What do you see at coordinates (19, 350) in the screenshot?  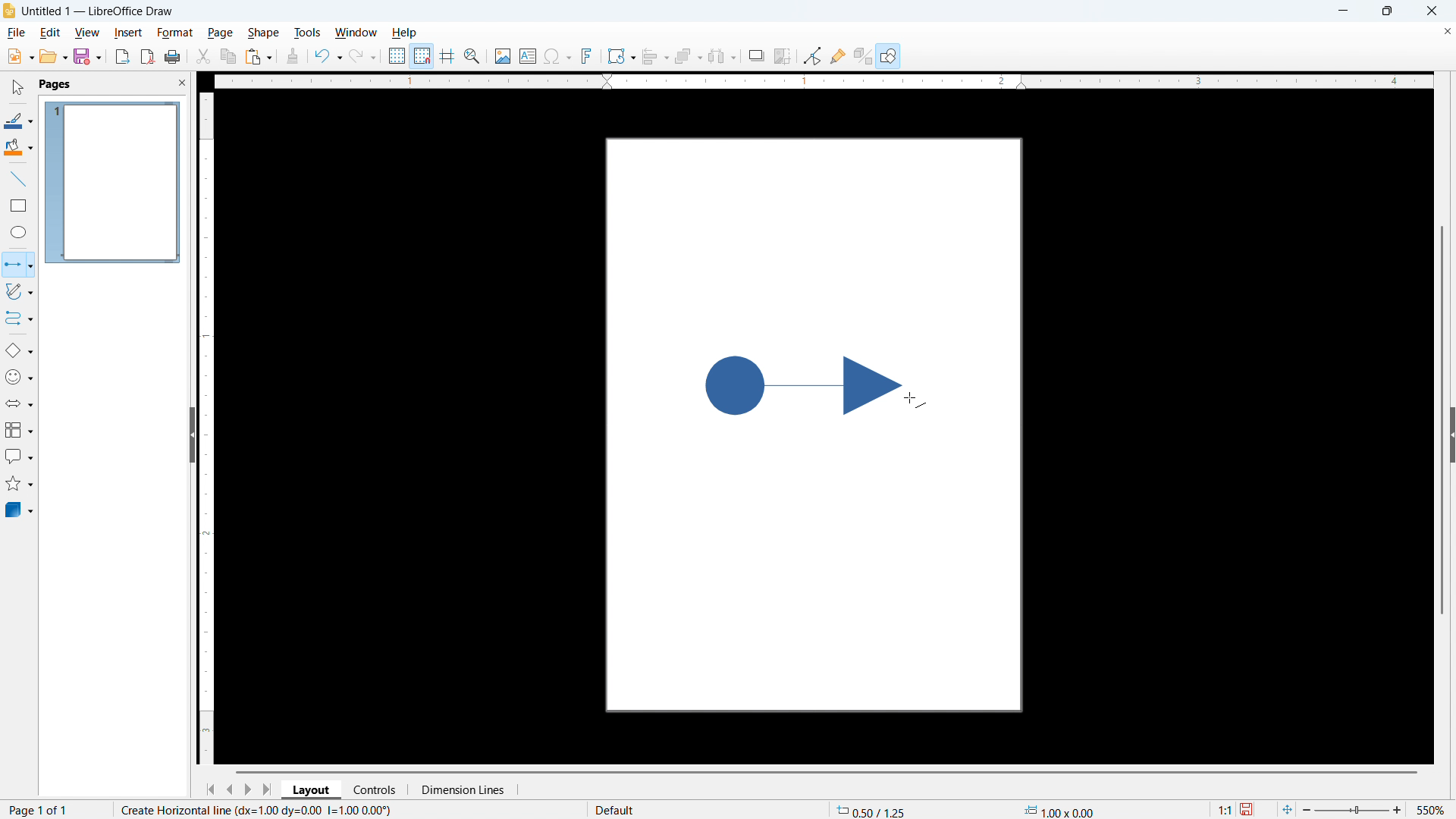 I see `Basic shapes ` at bounding box center [19, 350].